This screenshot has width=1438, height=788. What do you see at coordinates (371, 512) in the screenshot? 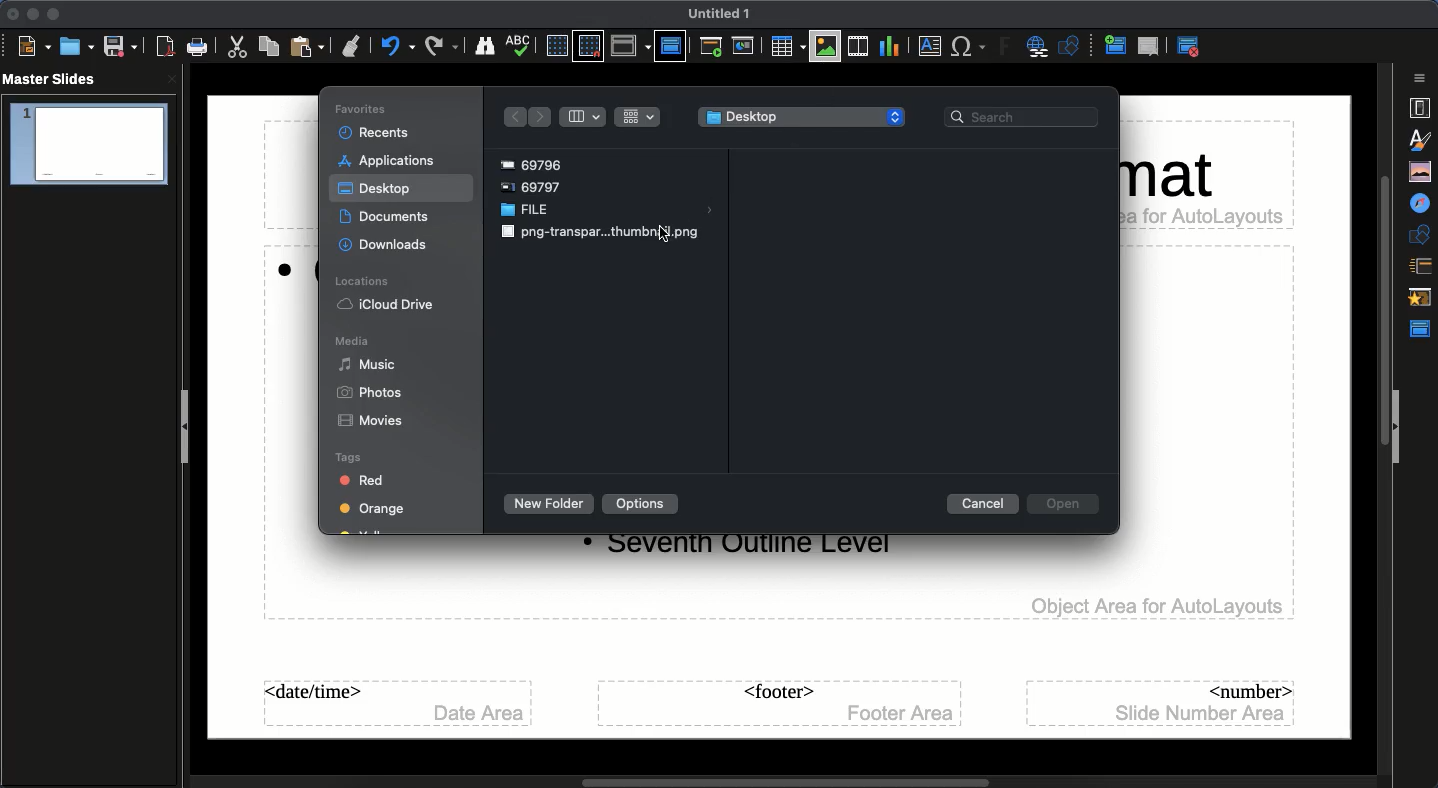
I see `orange` at bounding box center [371, 512].